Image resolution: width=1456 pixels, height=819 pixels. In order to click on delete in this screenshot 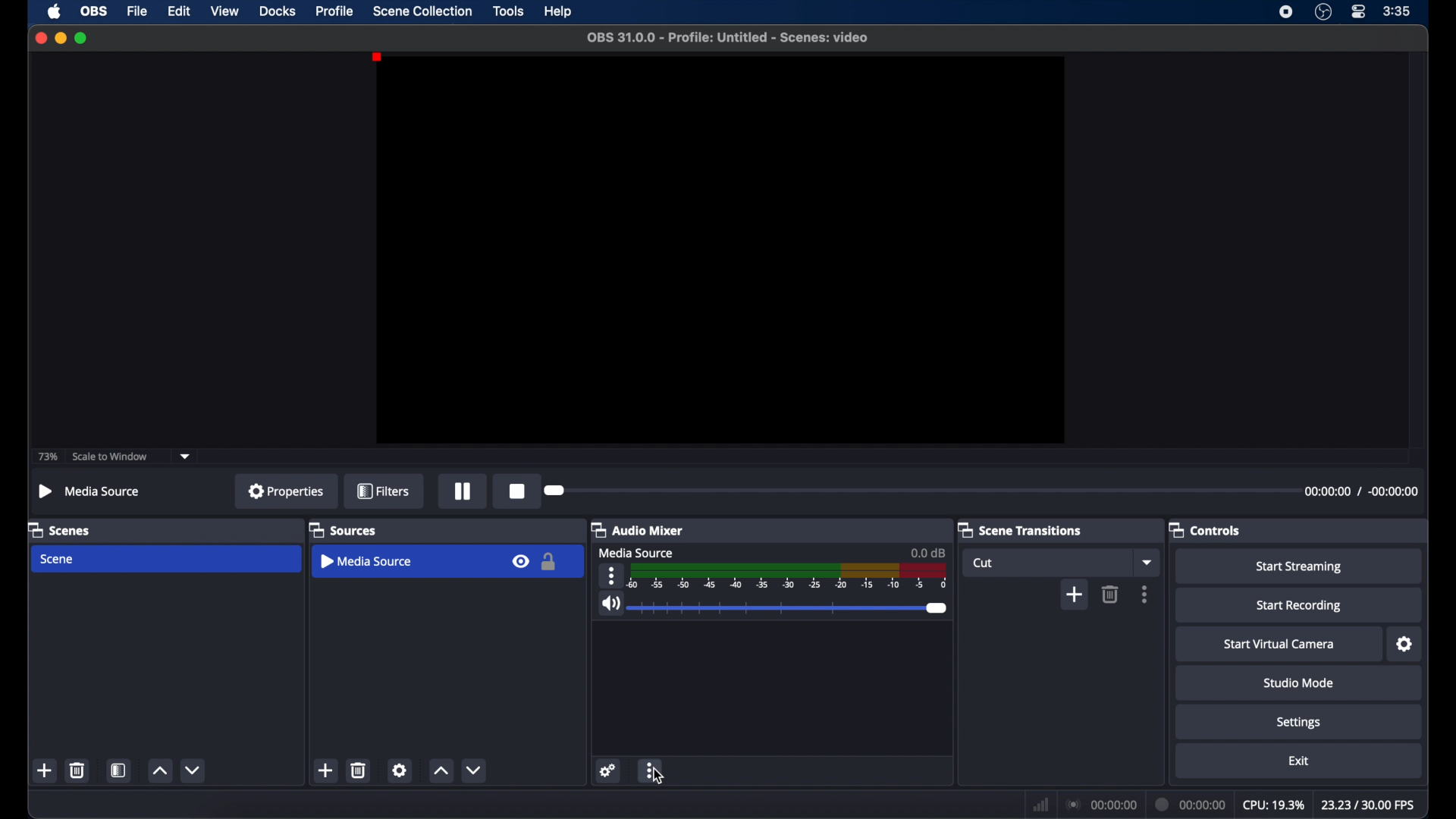, I will do `click(359, 770)`.